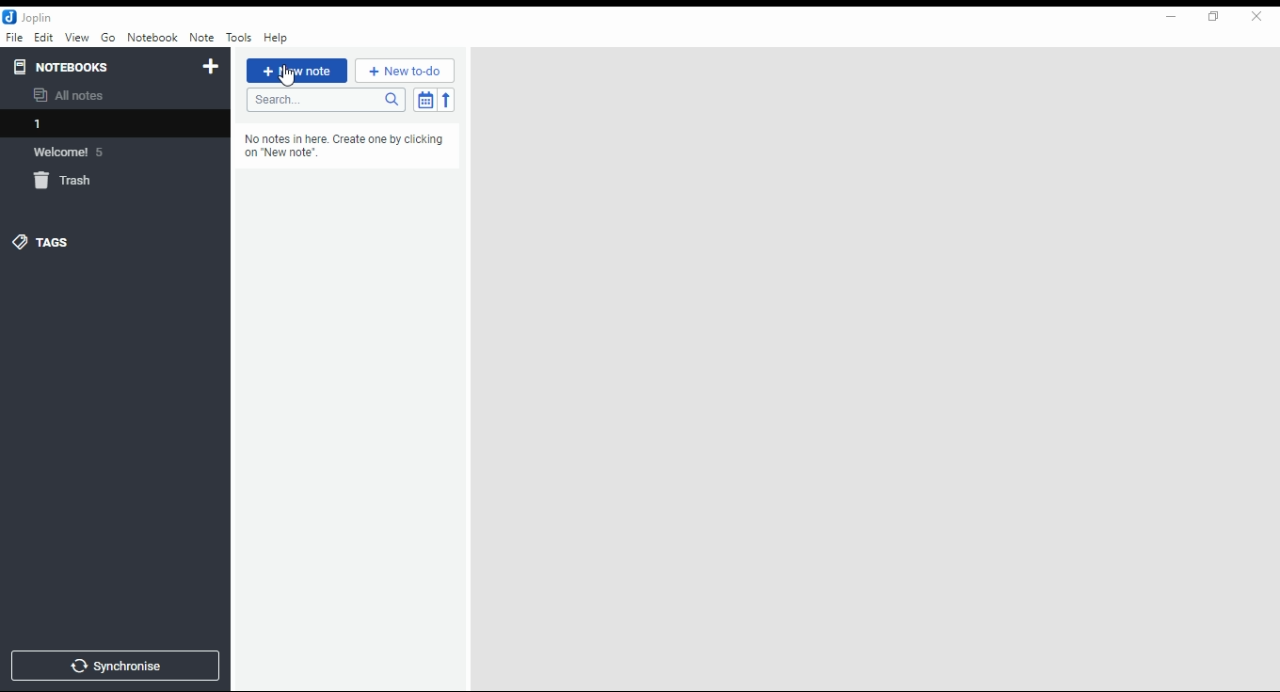 This screenshot has height=692, width=1280. Describe the element at coordinates (76, 152) in the screenshot. I see `welcome` at that location.